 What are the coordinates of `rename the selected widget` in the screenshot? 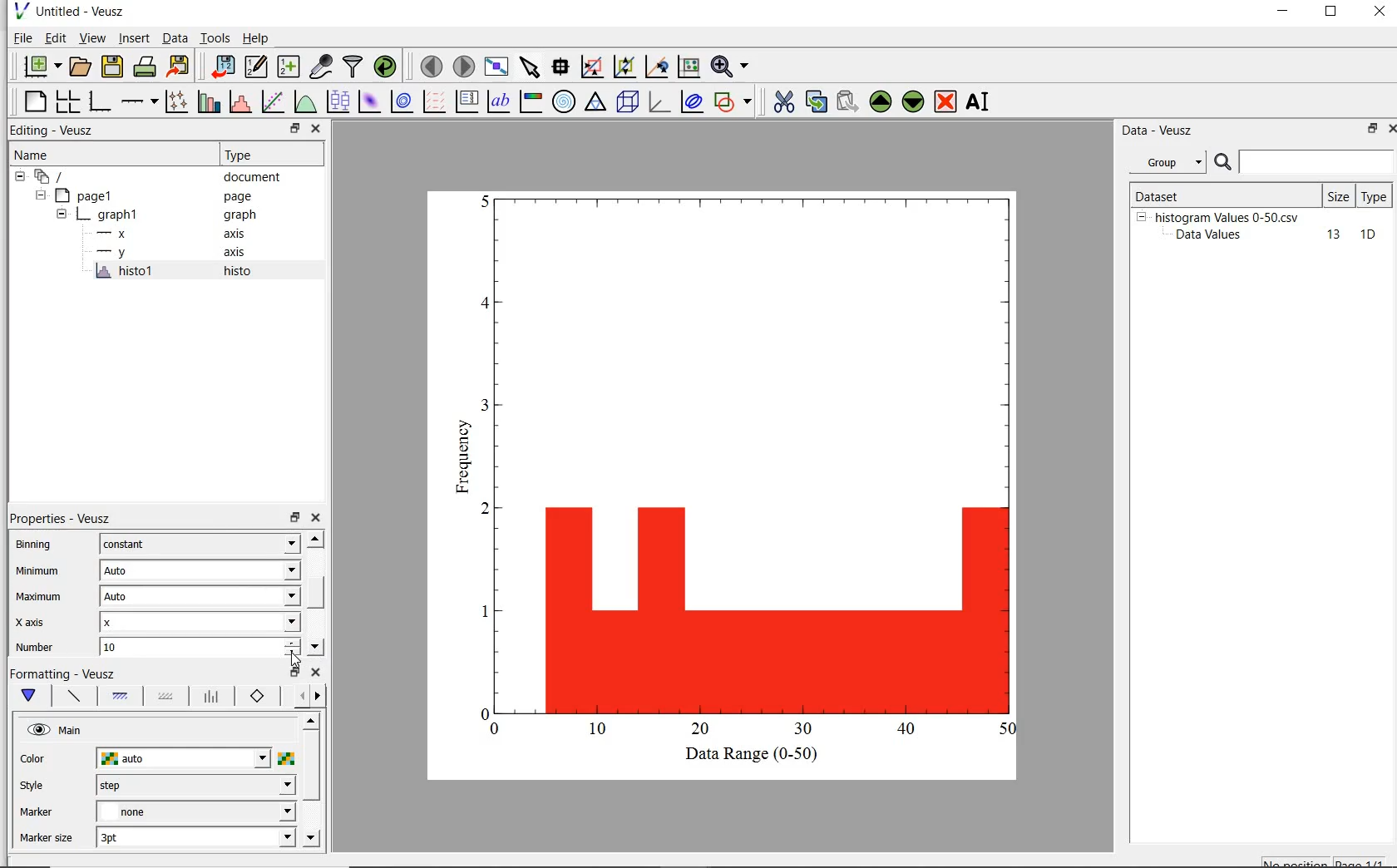 It's located at (980, 101).